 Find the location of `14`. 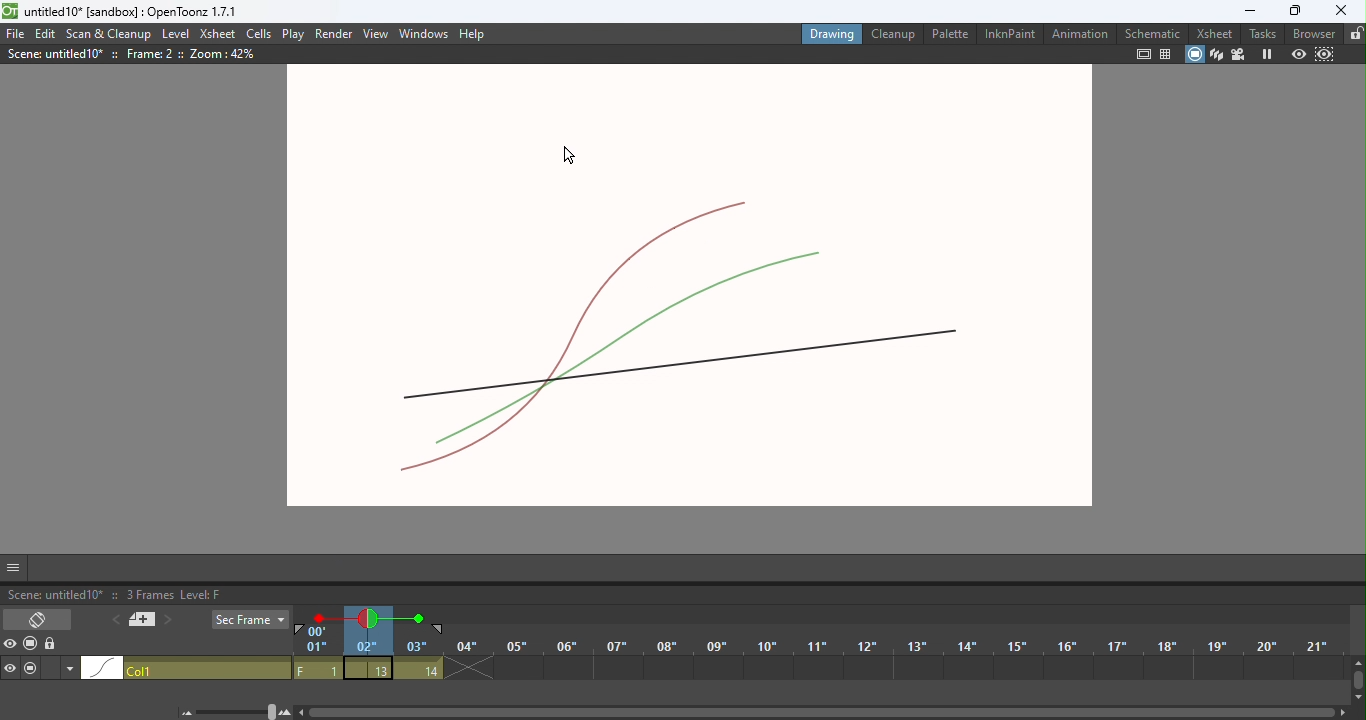

14 is located at coordinates (418, 669).